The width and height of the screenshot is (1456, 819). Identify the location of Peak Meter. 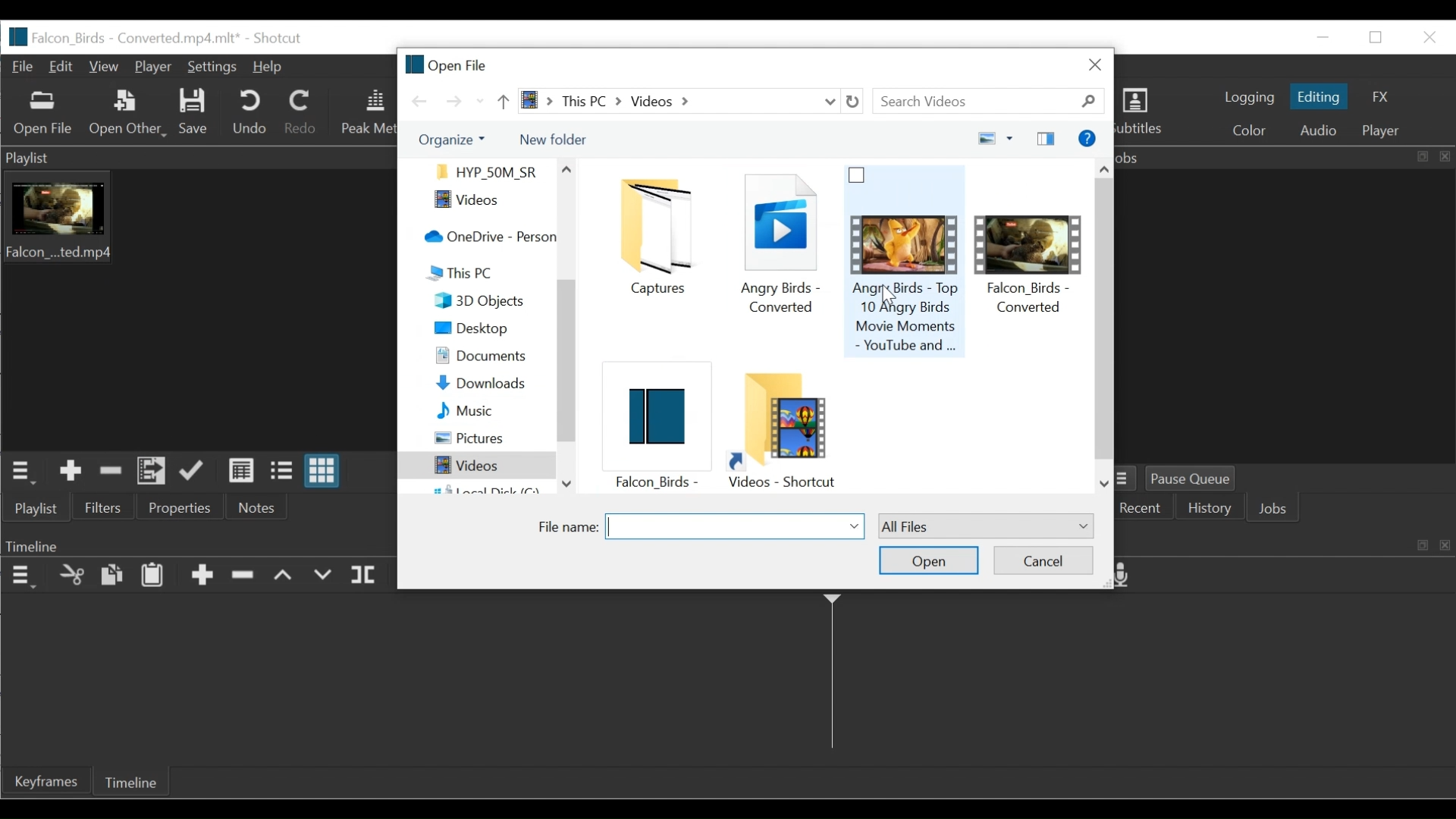
(366, 113).